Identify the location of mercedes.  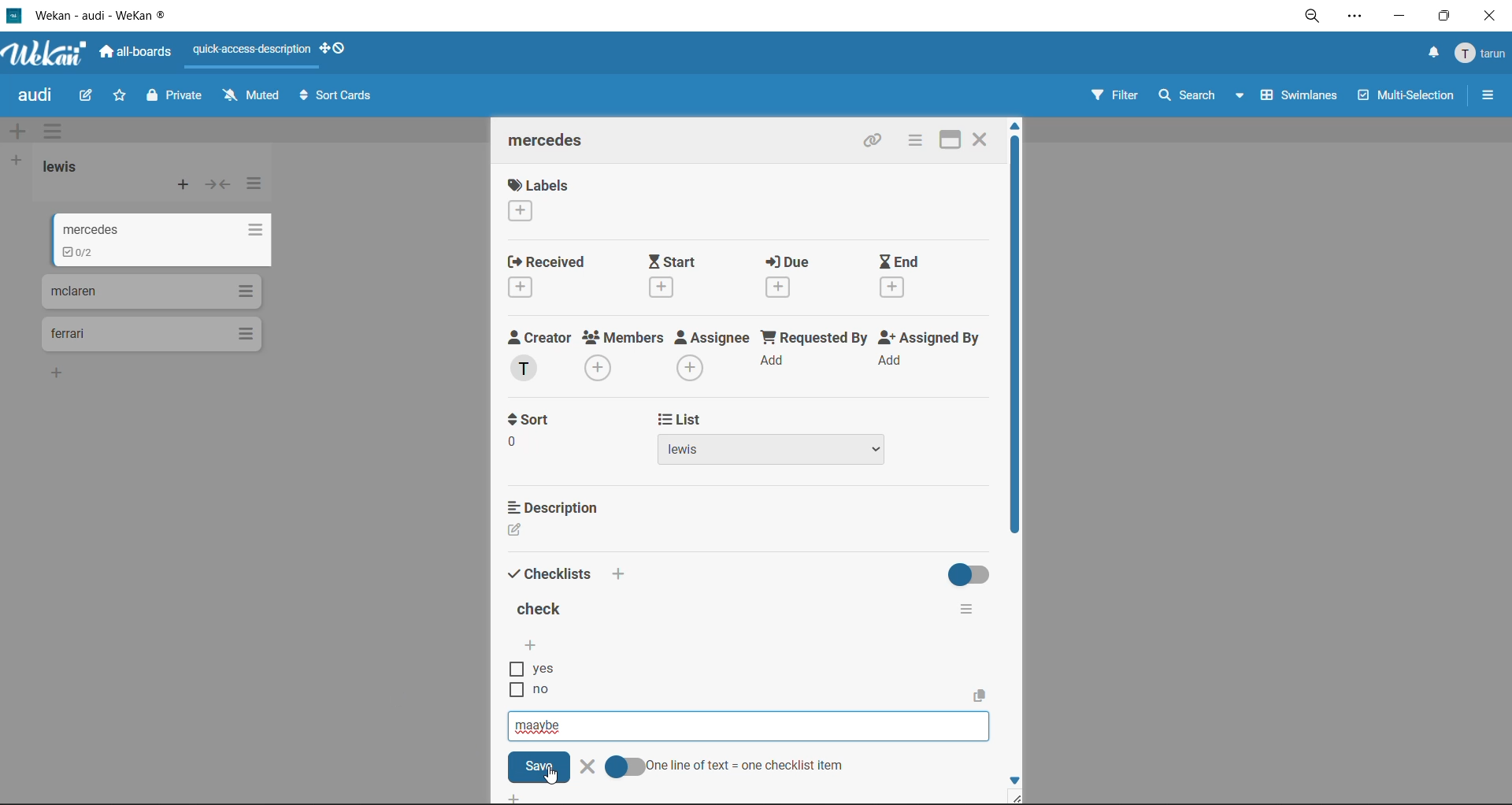
(87, 224).